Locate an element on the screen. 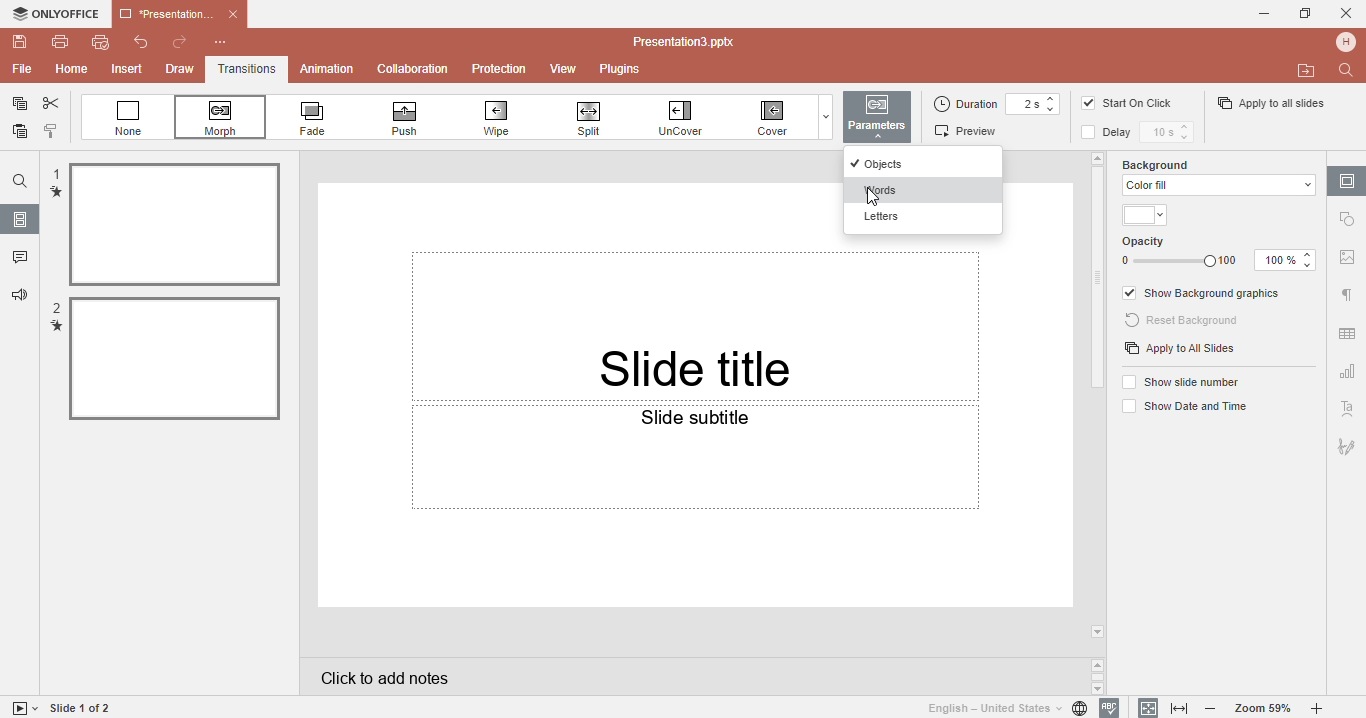  Zoom out is located at coordinates (1215, 710).